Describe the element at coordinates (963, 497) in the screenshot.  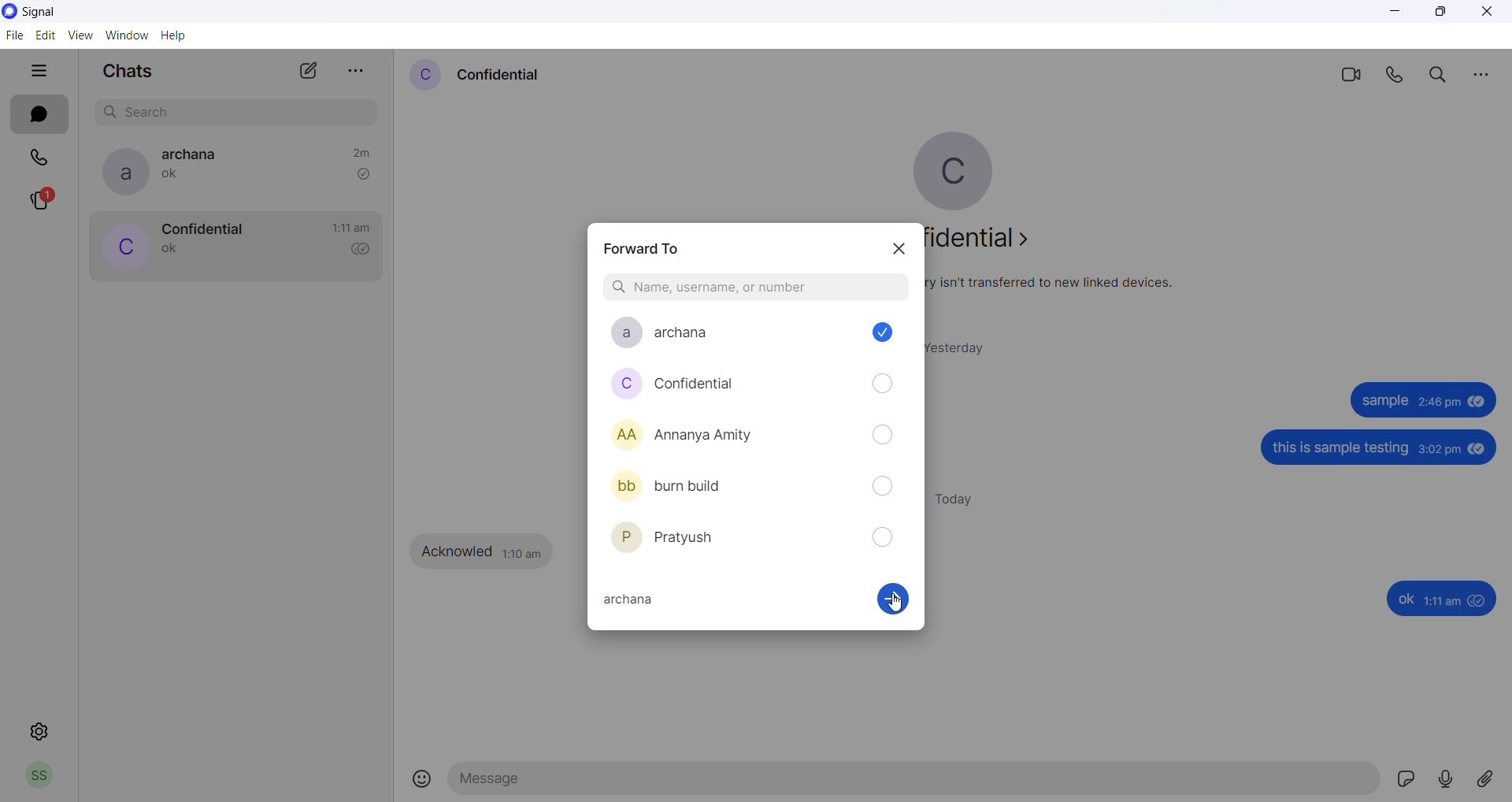
I see `today messages heading` at that location.